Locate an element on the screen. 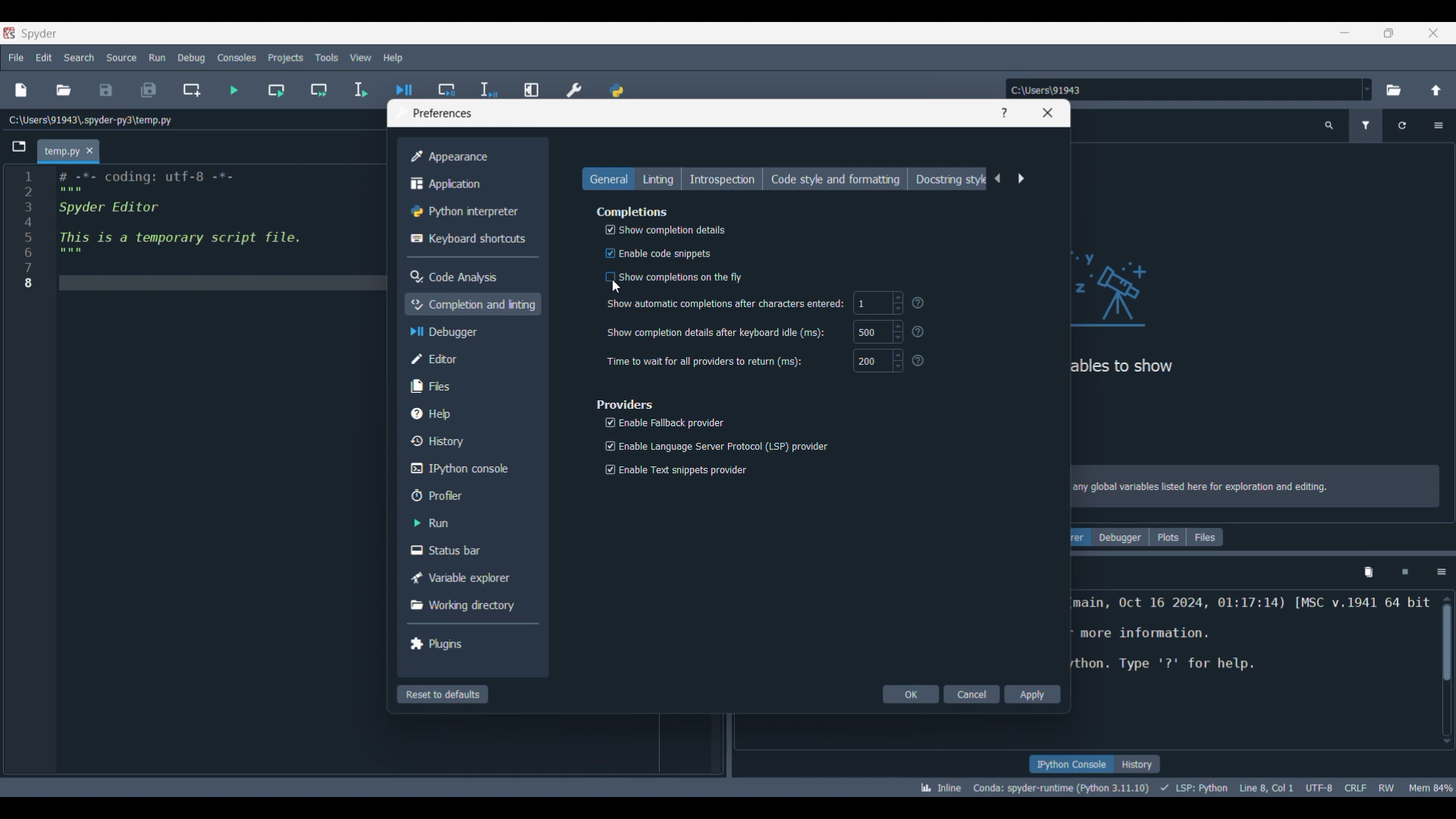 The height and width of the screenshot is (819, 1456). Debug cell is located at coordinates (447, 83).